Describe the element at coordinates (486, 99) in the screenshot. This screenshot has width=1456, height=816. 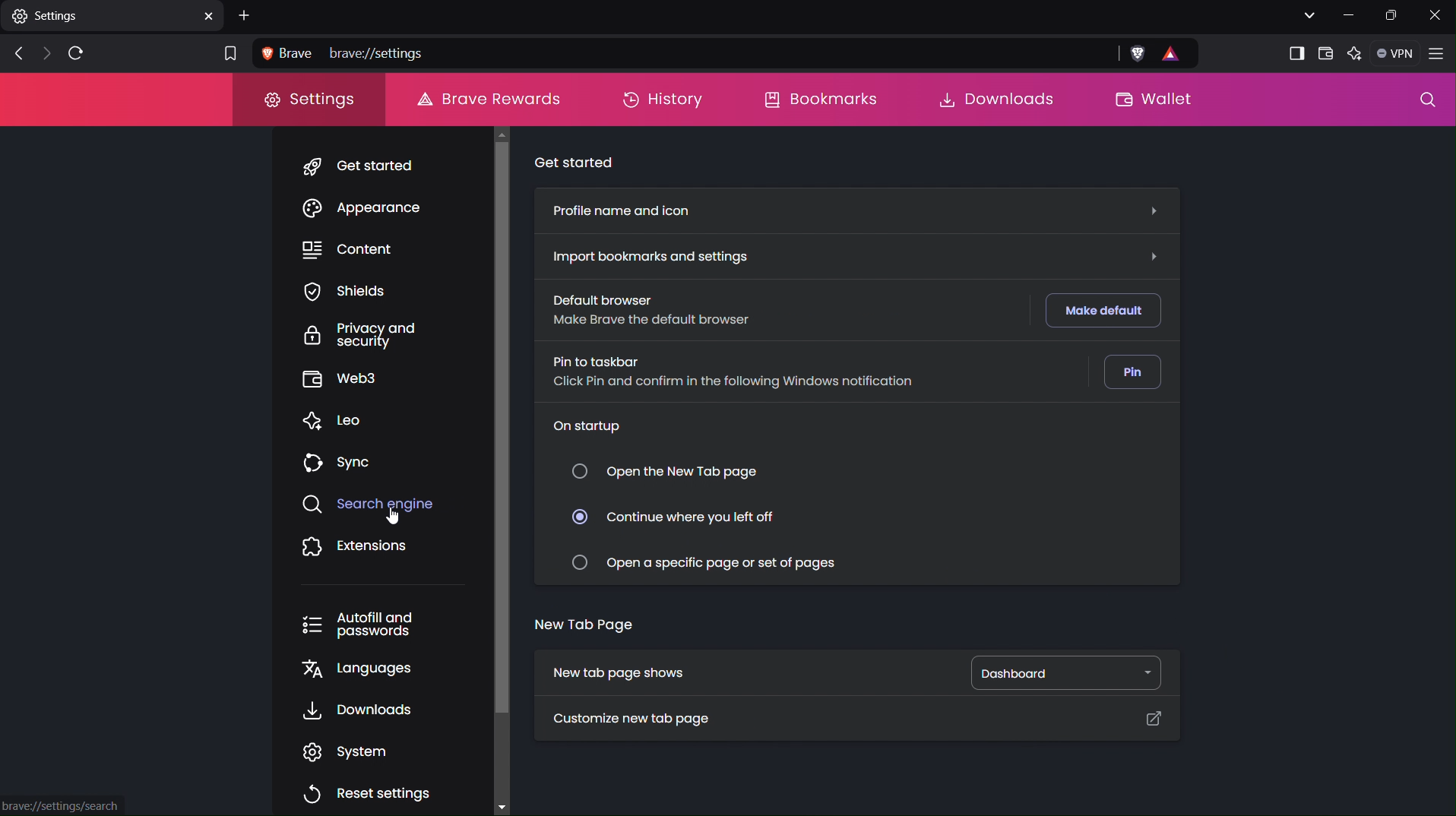
I see `Brave Rewards` at that location.